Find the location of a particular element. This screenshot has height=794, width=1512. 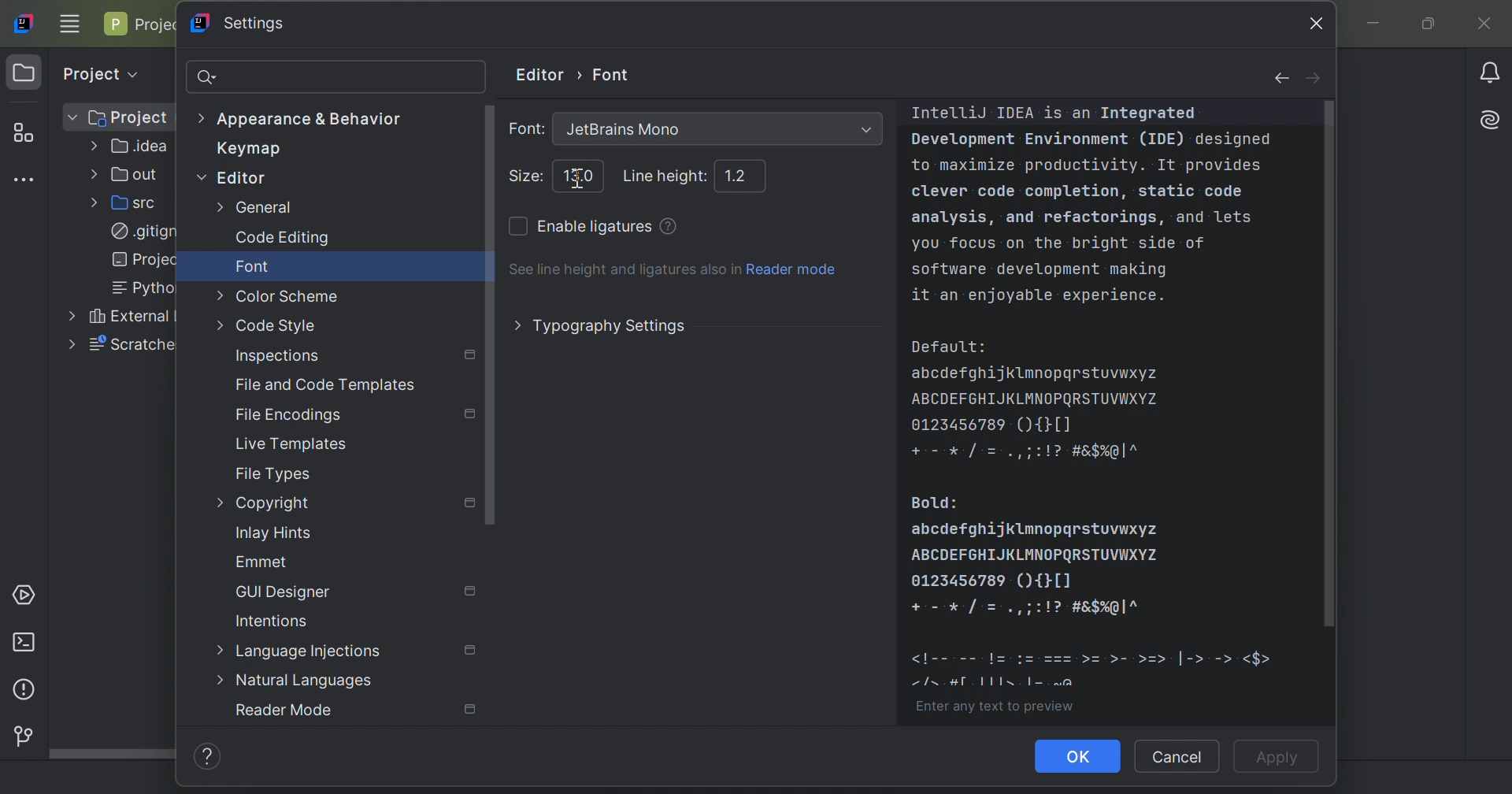

Color scheme is located at coordinates (279, 295).